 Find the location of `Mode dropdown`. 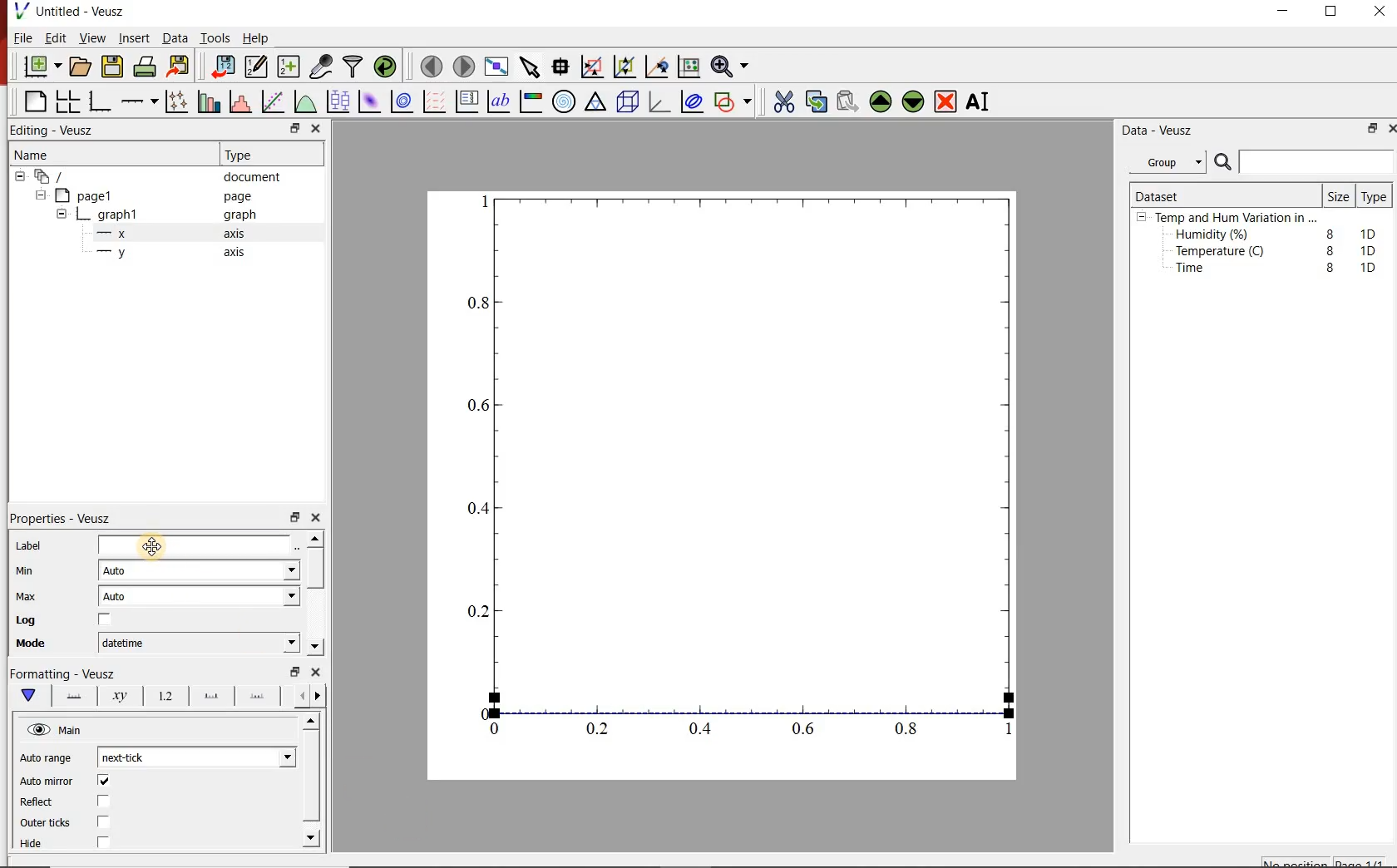

Mode dropdown is located at coordinates (272, 643).